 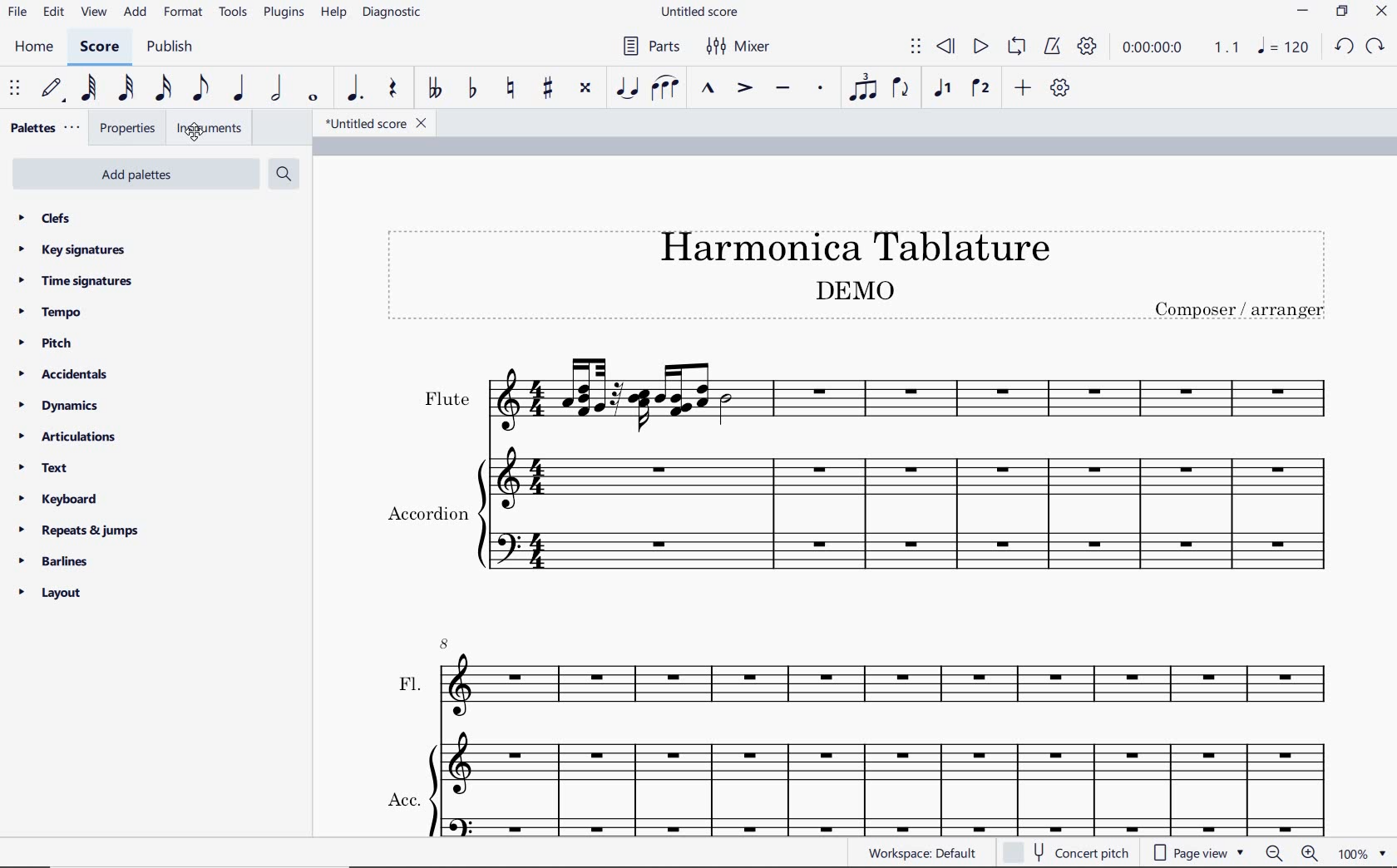 What do you see at coordinates (74, 252) in the screenshot?
I see `key signatures` at bounding box center [74, 252].